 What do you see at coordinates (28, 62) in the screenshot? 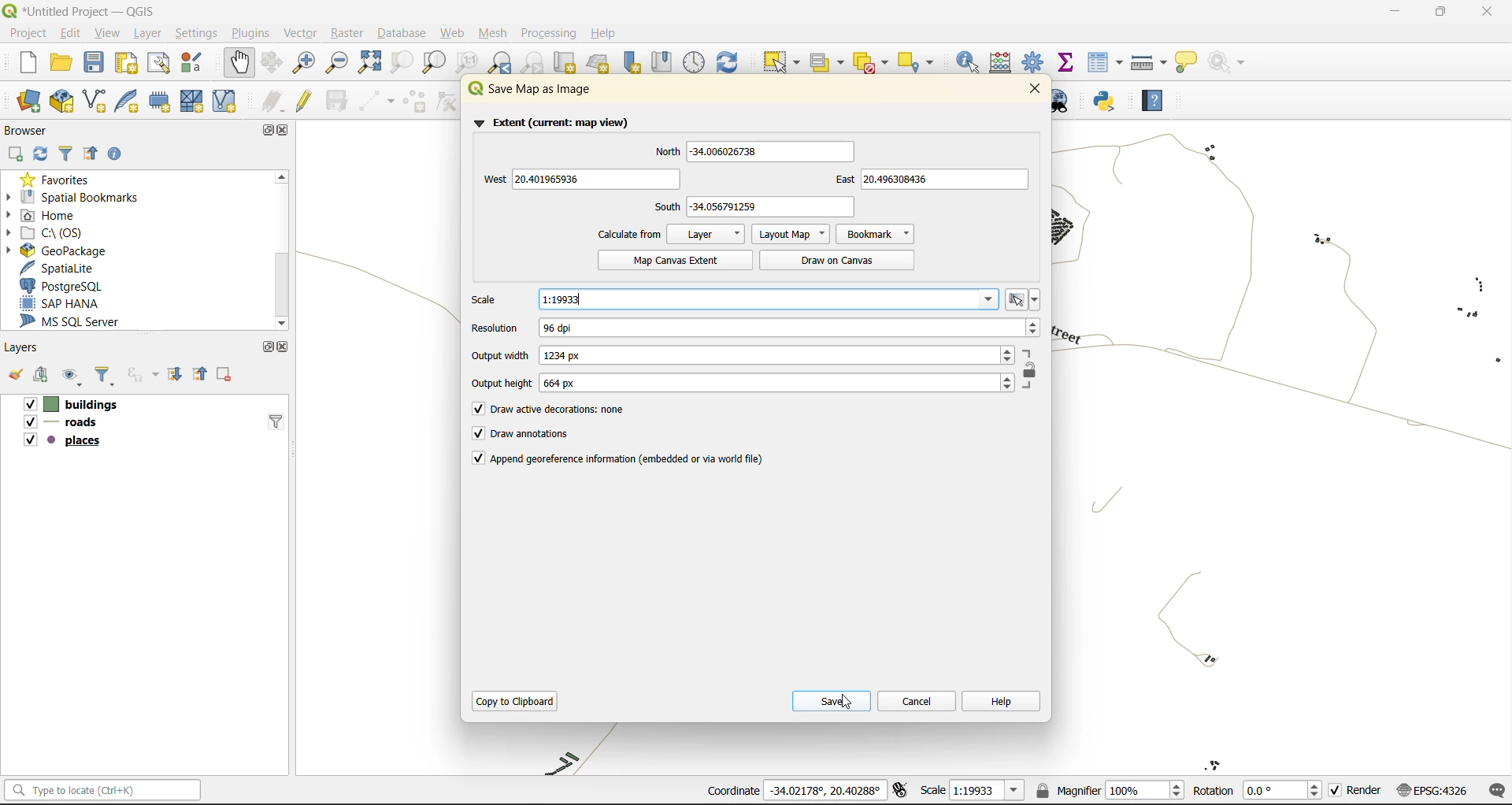
I see `new` at bounding box center [28, 62].